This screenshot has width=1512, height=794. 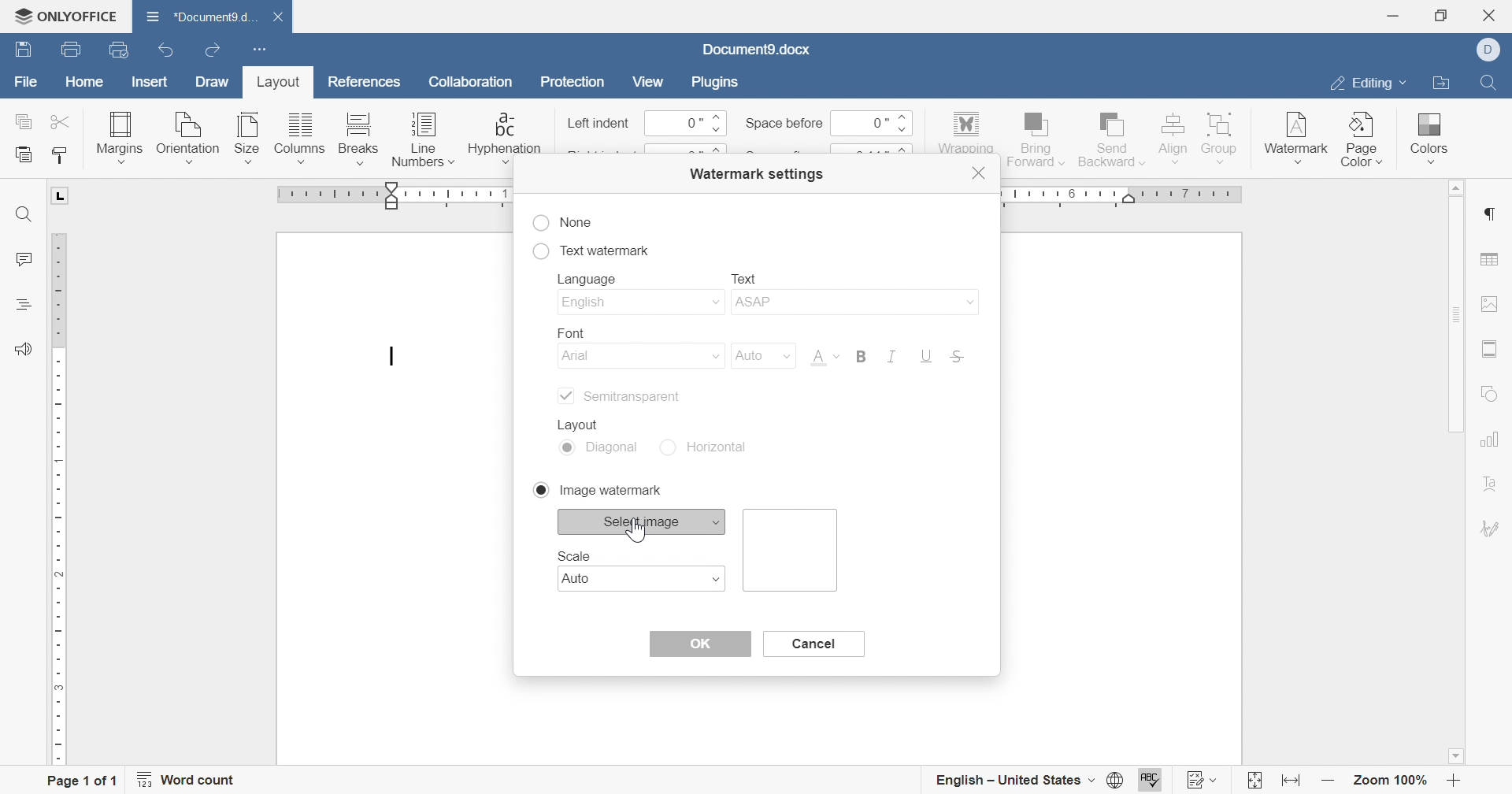 I want to click on image watermark, so click(x=595, y=489).